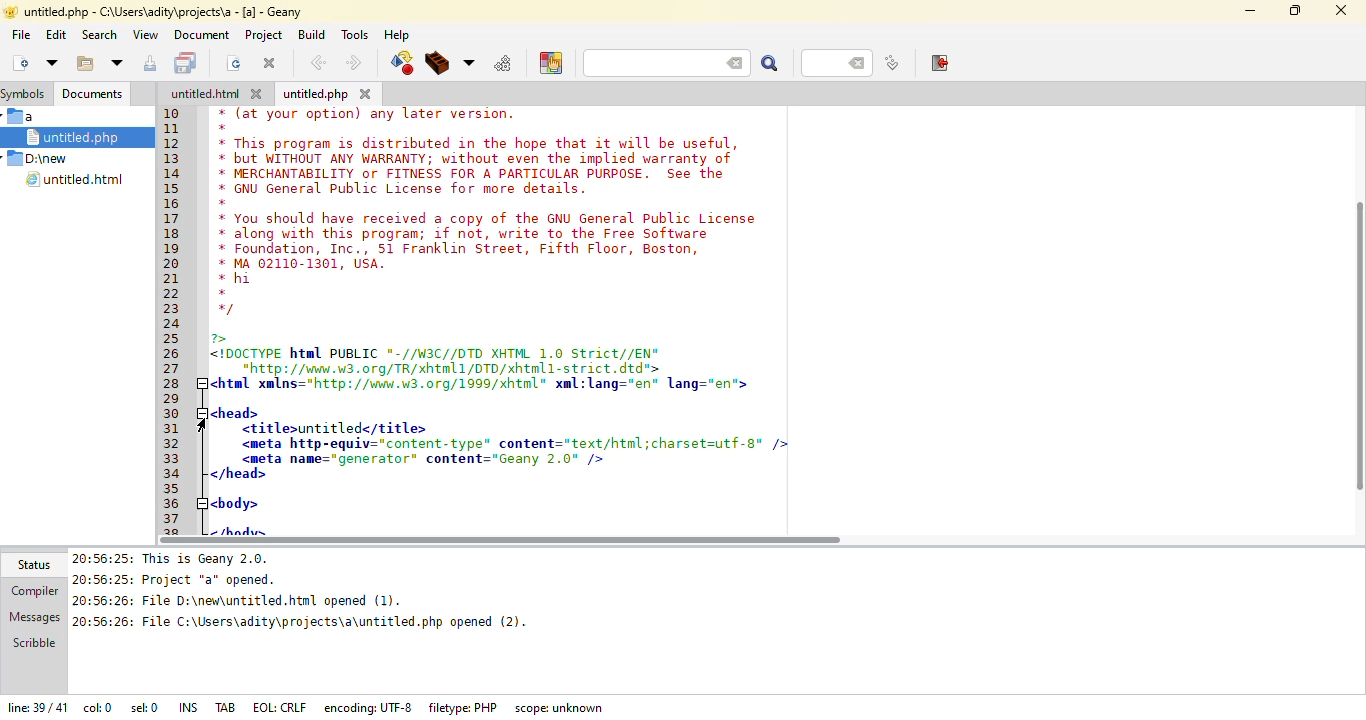  Describe the element at coordinates (56, 34) in the screenshot. I see `edit` at that location.